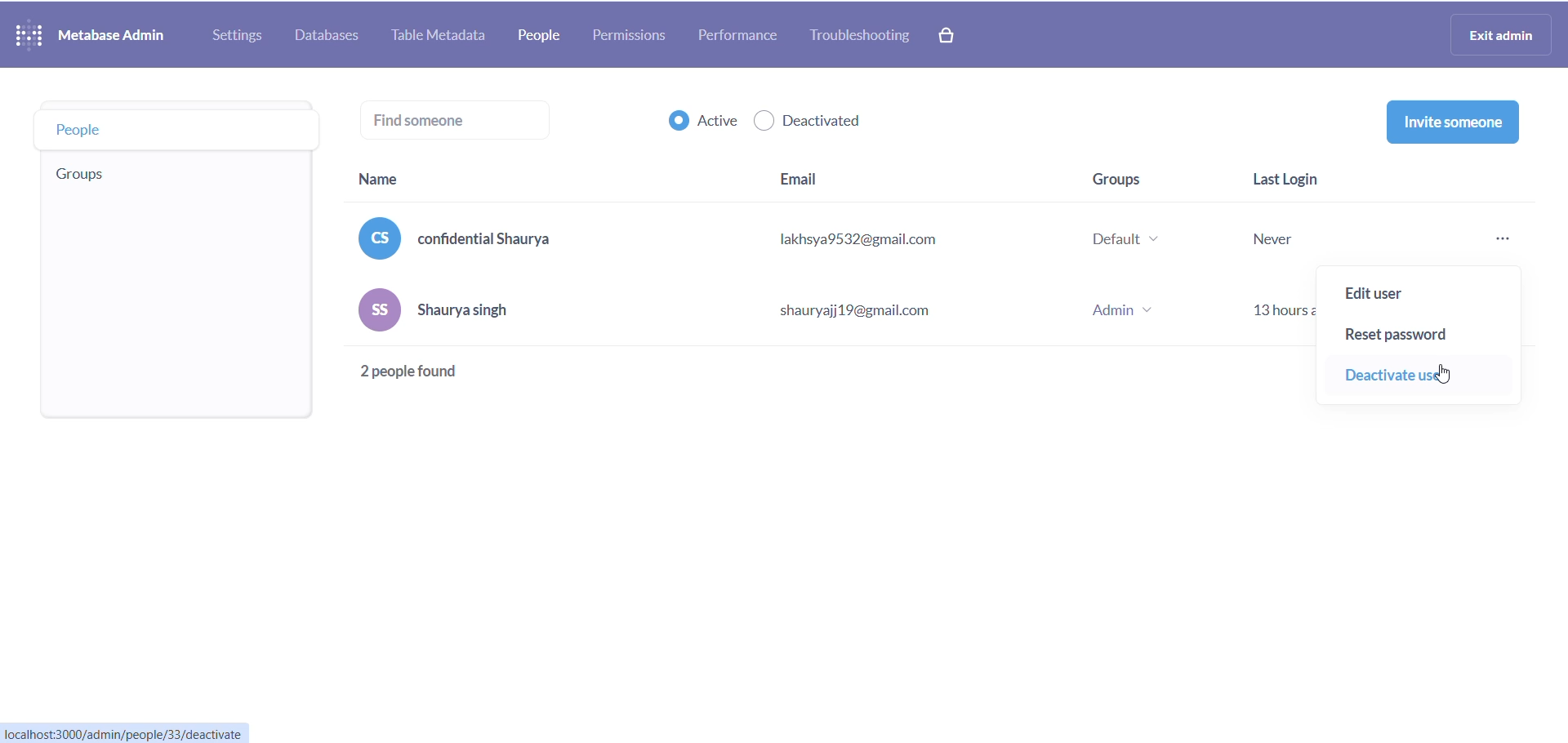 This screenshot has height=743, width=1568. I want to click on group, so click(1140, 181).